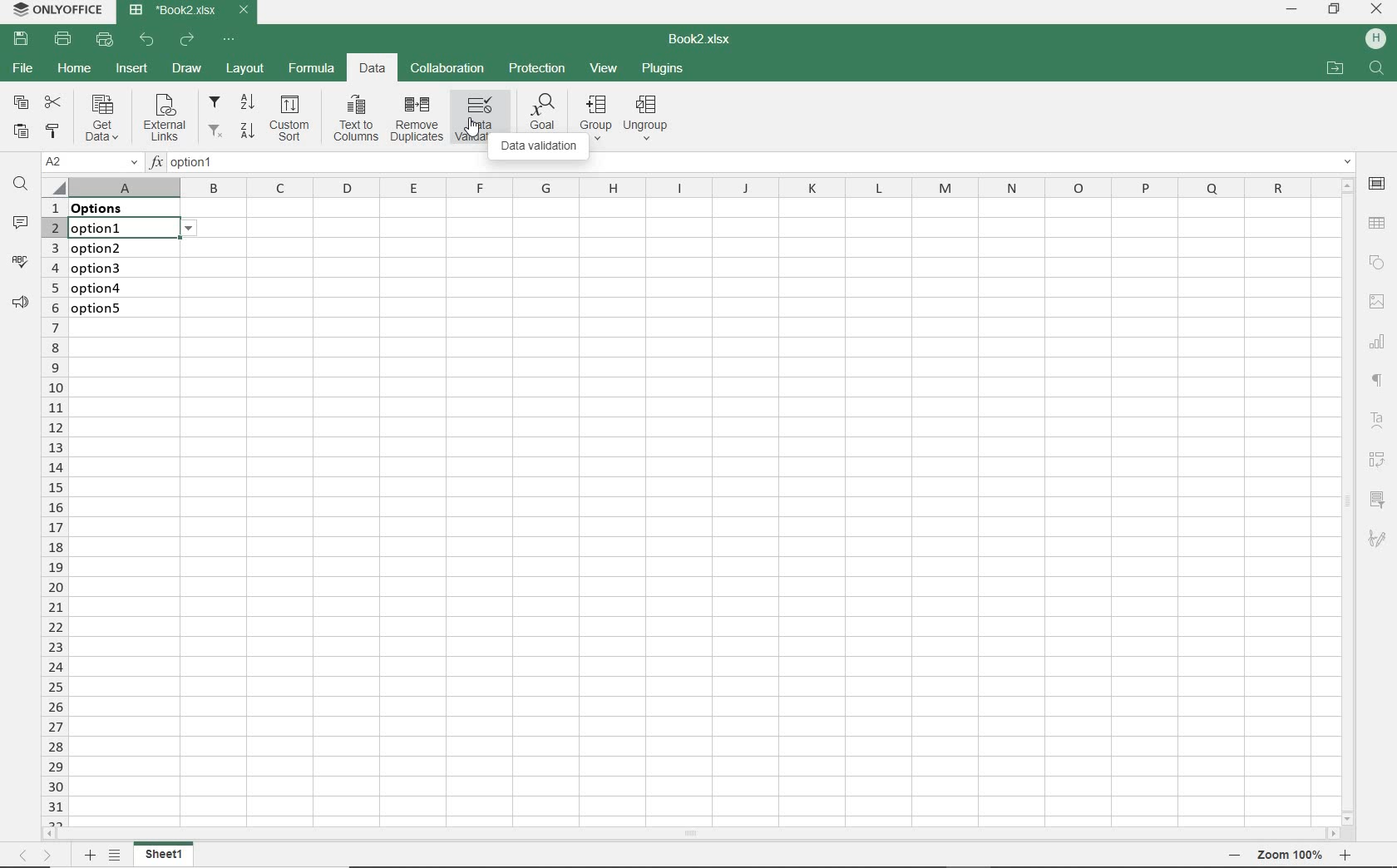 The height and width of the screenshot is (868, 1397). I want to click on FIND, so click(19, 184).